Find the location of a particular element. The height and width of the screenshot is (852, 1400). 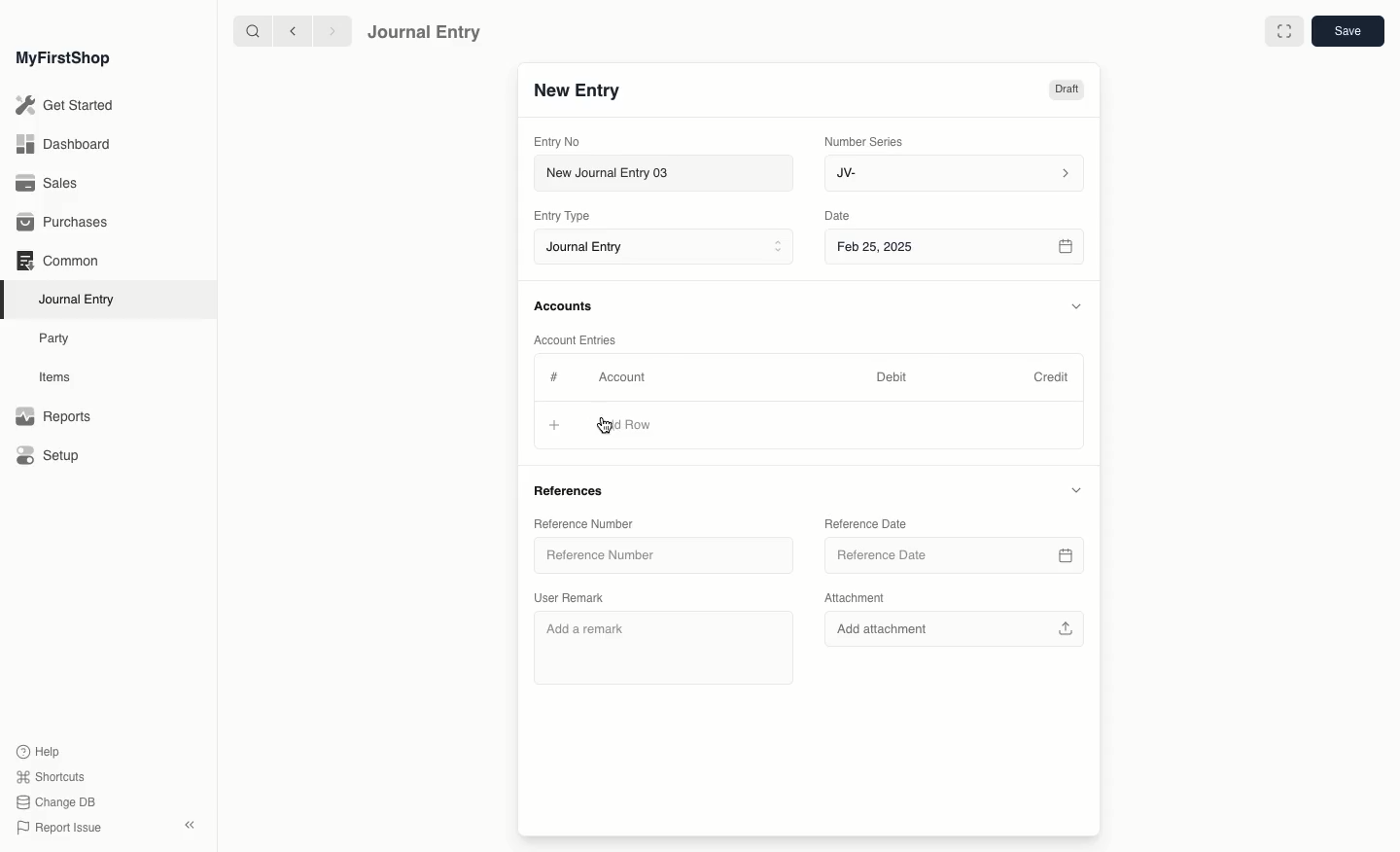

MyFirstShop is located at coordinates (61, 59).